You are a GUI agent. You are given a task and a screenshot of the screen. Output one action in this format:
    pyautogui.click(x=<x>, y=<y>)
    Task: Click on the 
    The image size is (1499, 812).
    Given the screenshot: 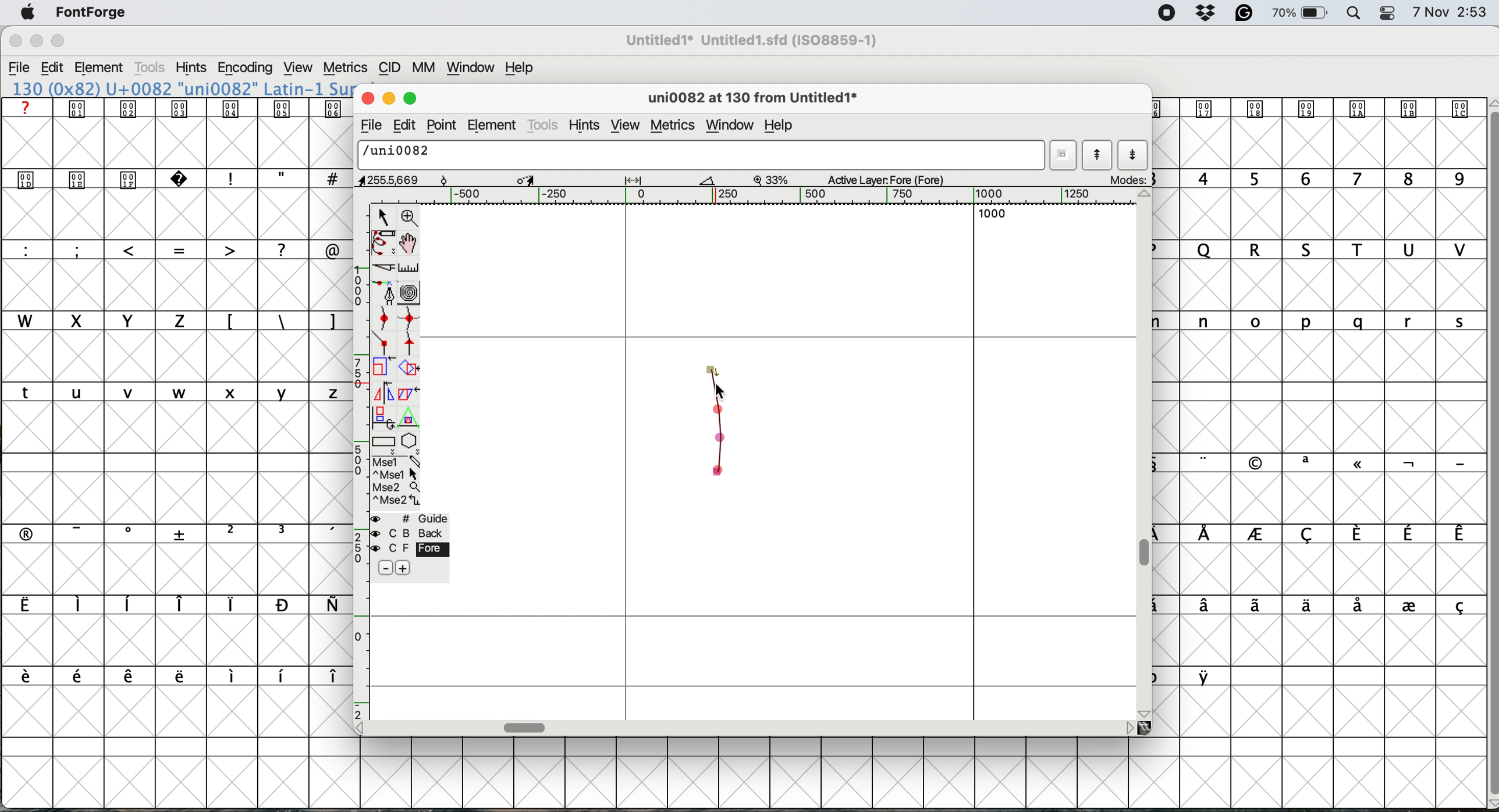 What is the action you would take?
    pyautogui.click(x=59, y=26)
    